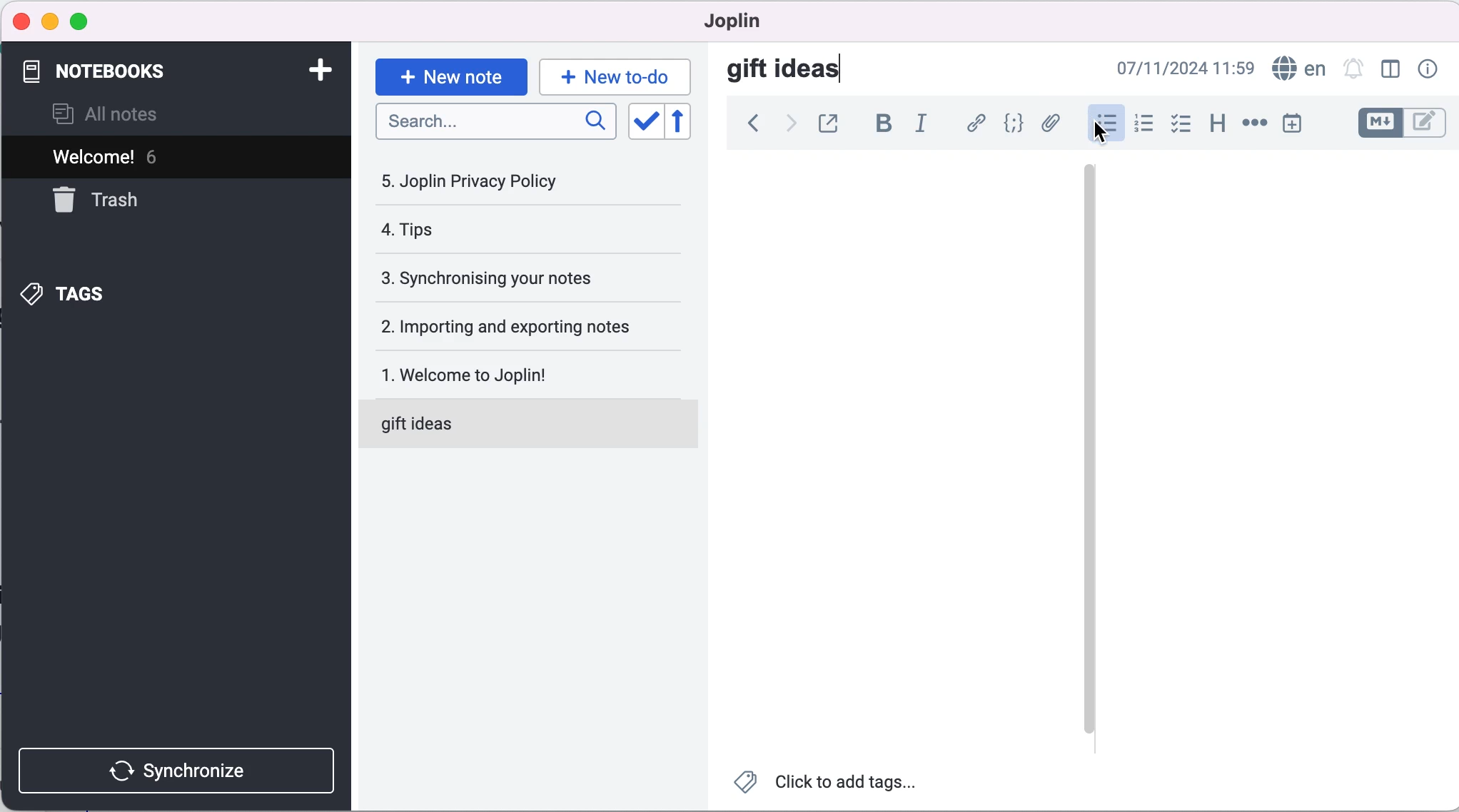 The width and height of the screenshot is (1459, 812). Describe the element at coordinates (921, 125) in the screenshot. I see `italic` at that location.